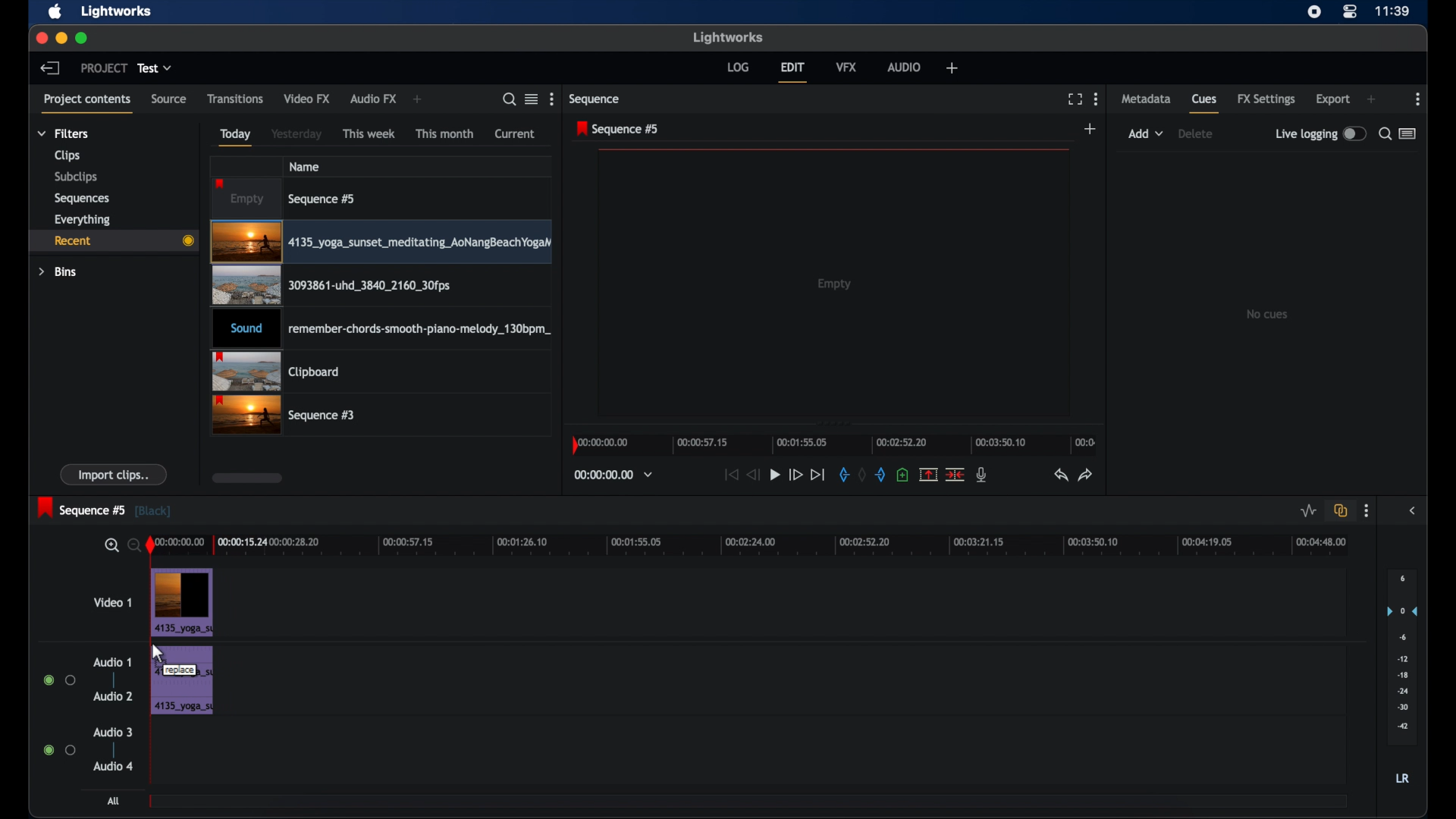 The image size is (1456, 819). I want to click on play, so click(775, 475).